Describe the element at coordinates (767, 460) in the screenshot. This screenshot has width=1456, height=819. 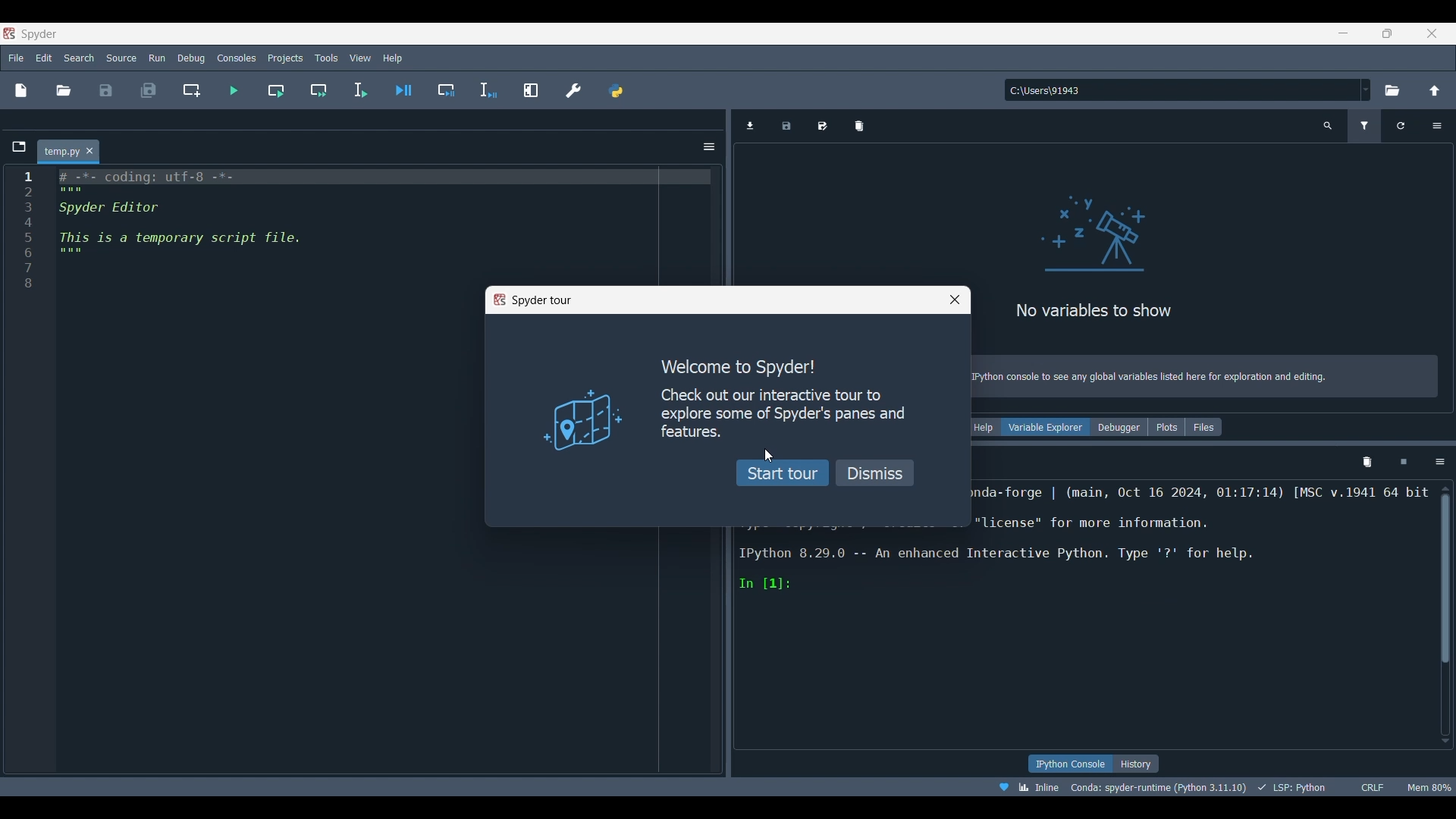
I see `cursor` at that location.